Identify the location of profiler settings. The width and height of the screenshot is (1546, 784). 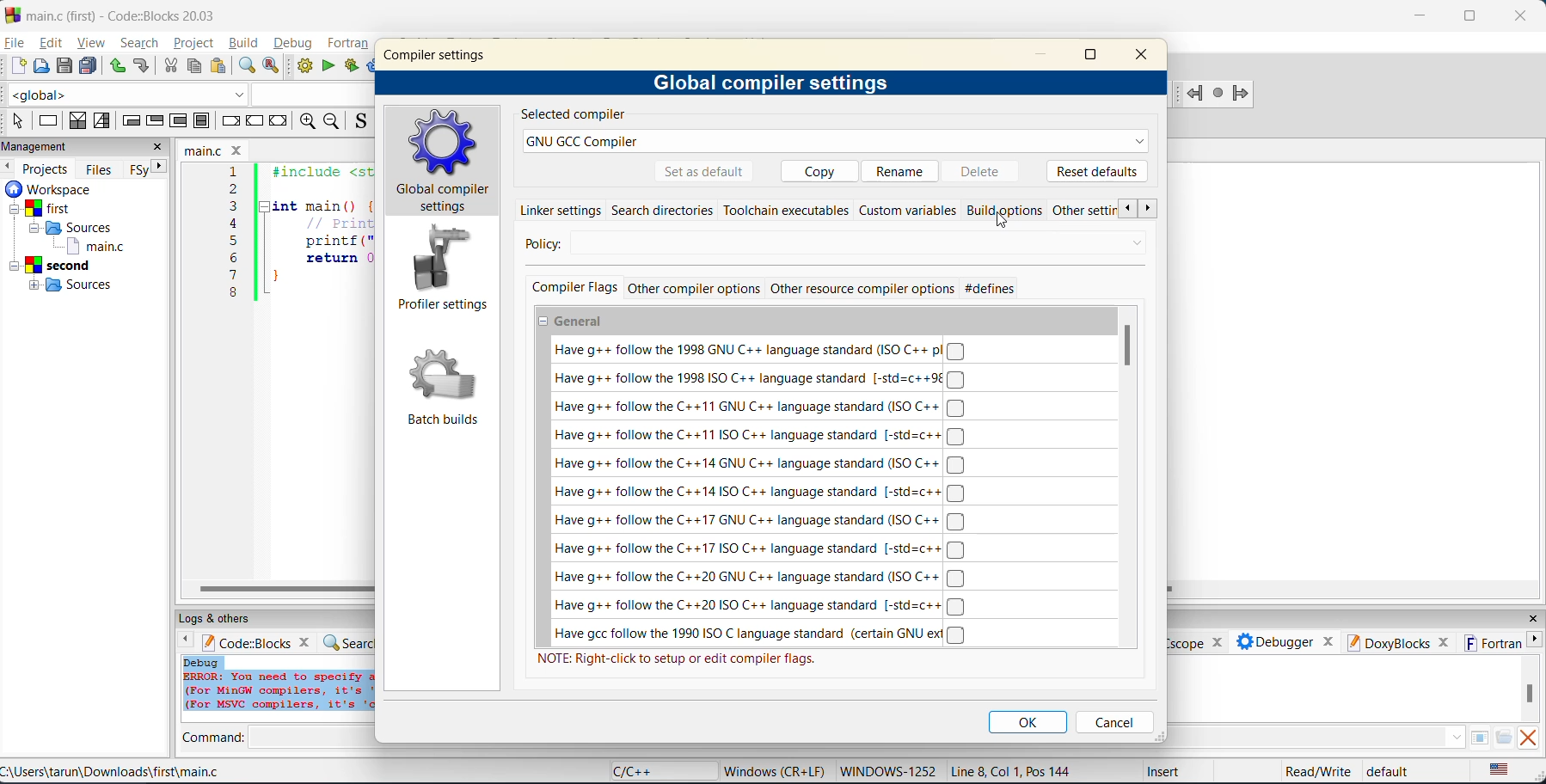
(442, 271).